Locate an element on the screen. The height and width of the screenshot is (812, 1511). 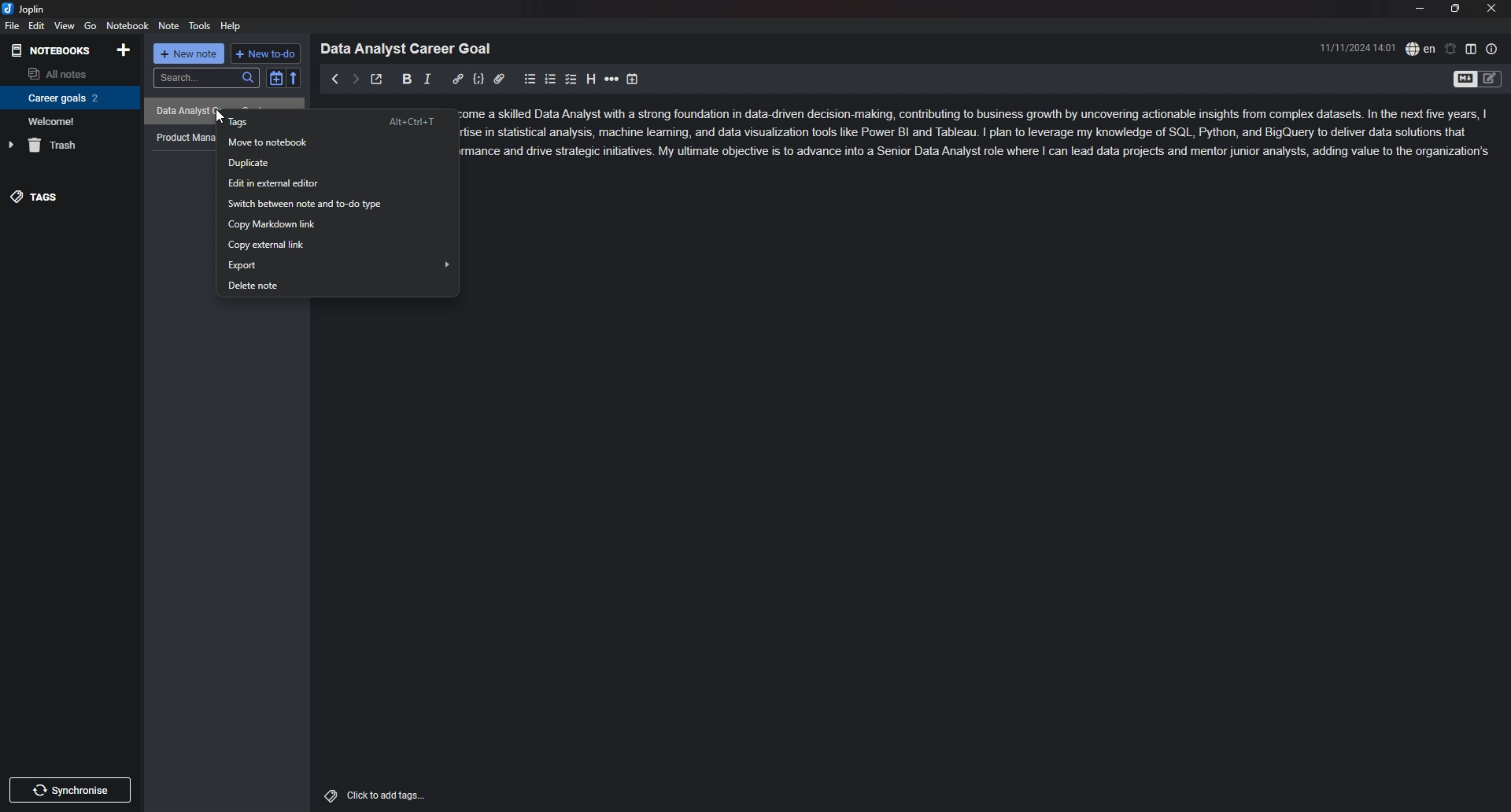
11/11/2024 14:01 is located at coordinates (1358, 47).